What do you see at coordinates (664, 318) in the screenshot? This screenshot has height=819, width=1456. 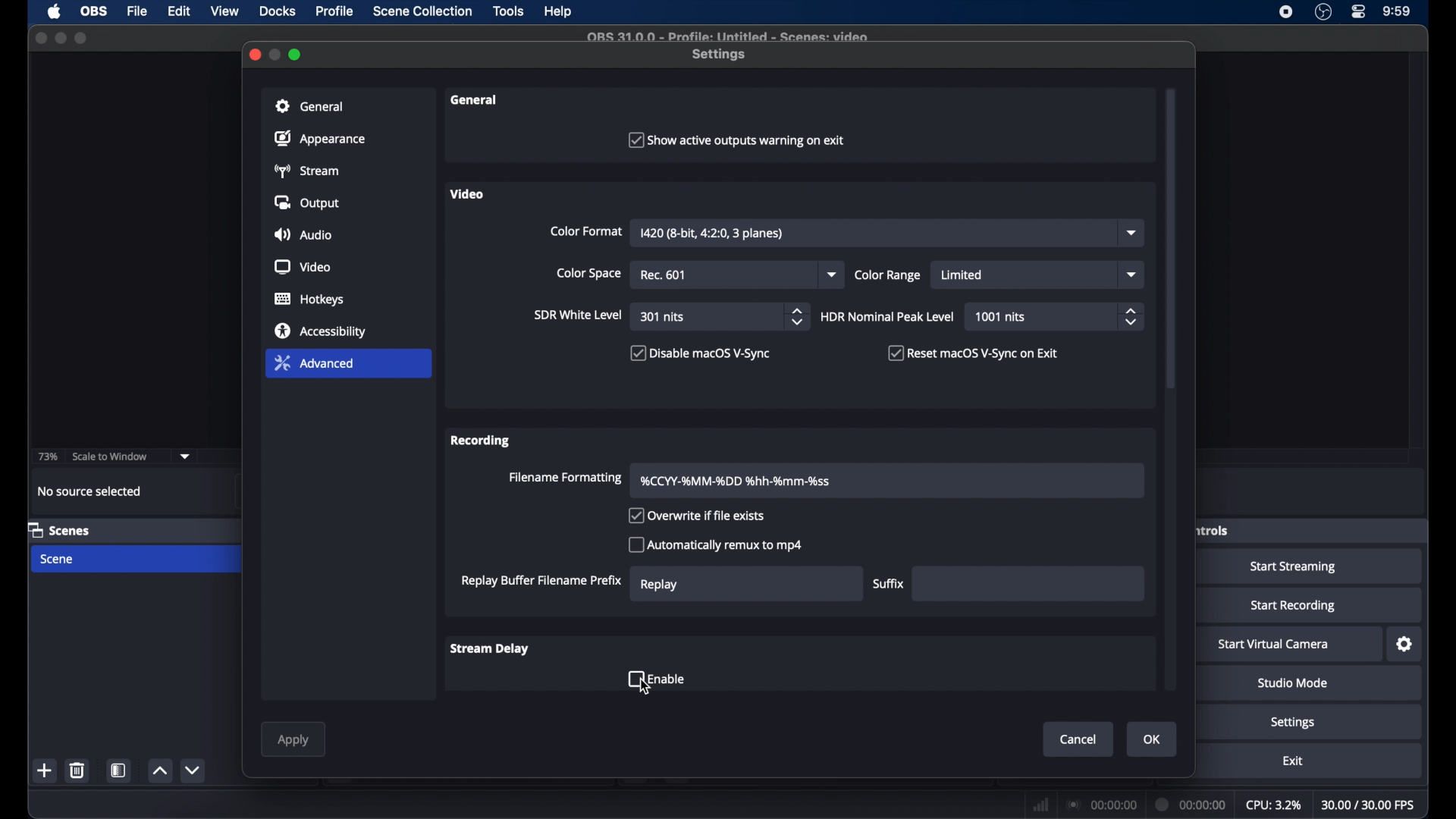 I see `301 nits` at bounding box center [664, 318].